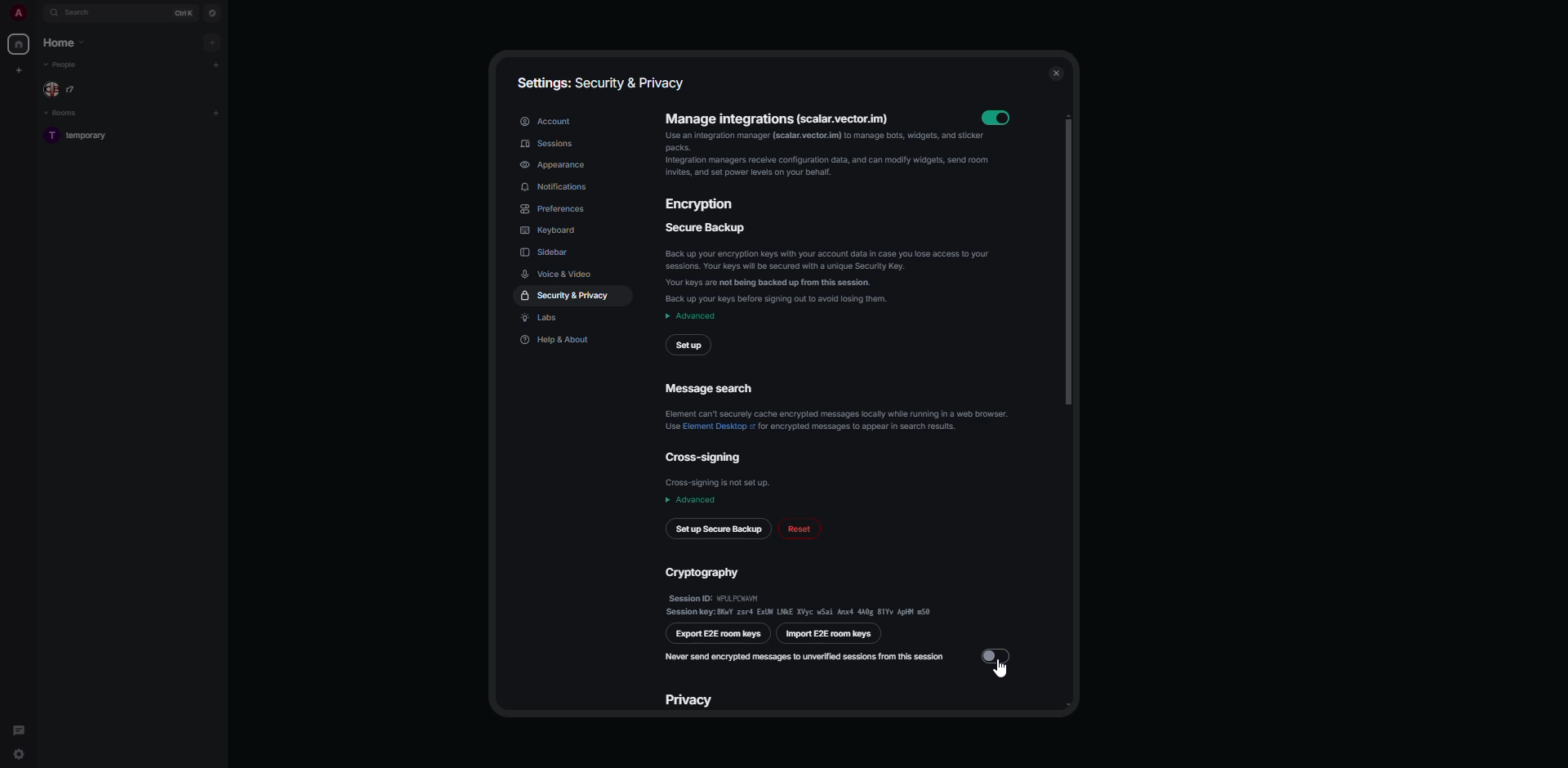  I want to click on ctrl K, so click(181, 12).